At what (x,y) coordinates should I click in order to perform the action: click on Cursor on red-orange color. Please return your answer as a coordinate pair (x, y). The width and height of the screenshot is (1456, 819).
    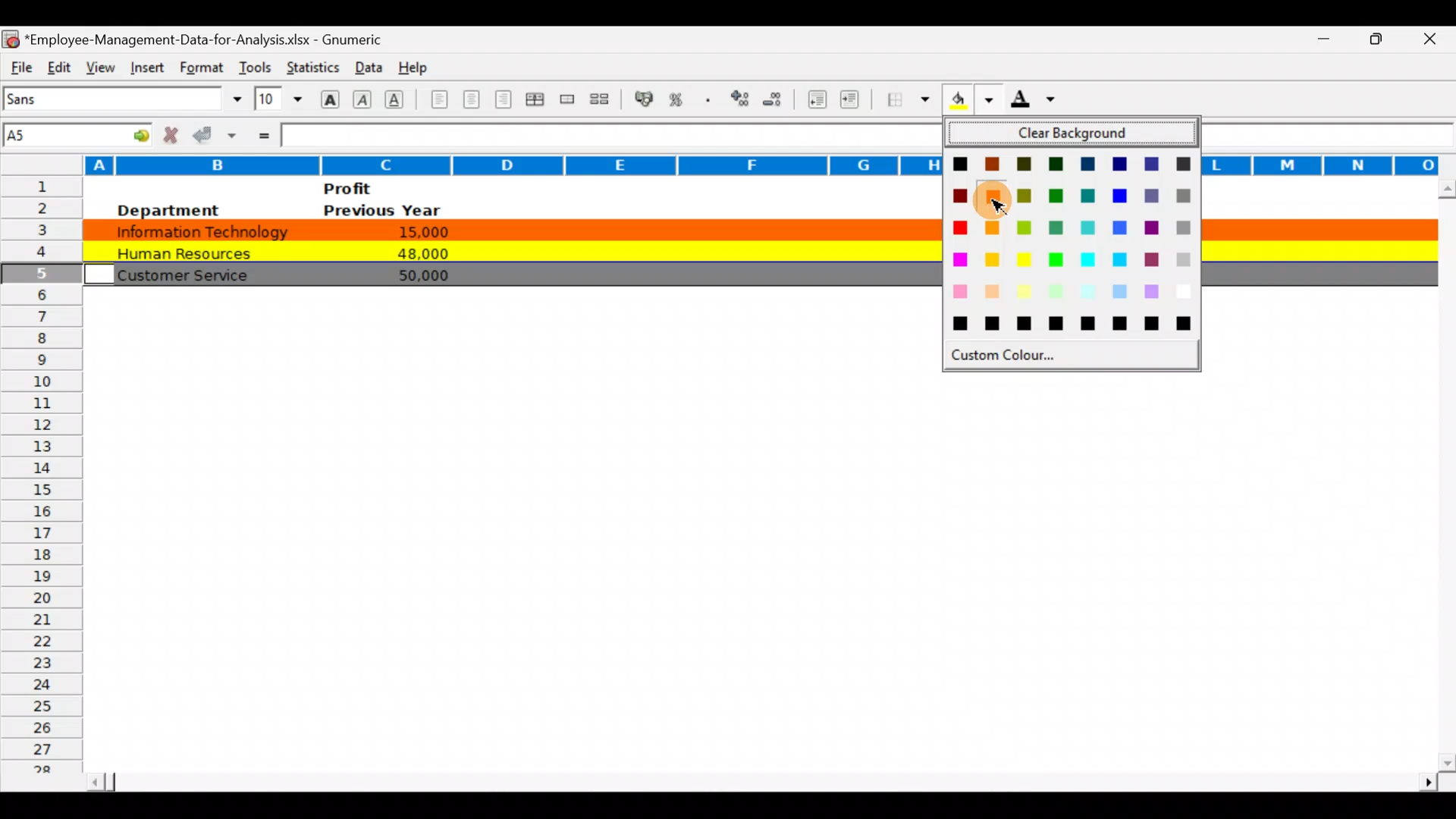
    Looking at the image, I should click on (995, 199).